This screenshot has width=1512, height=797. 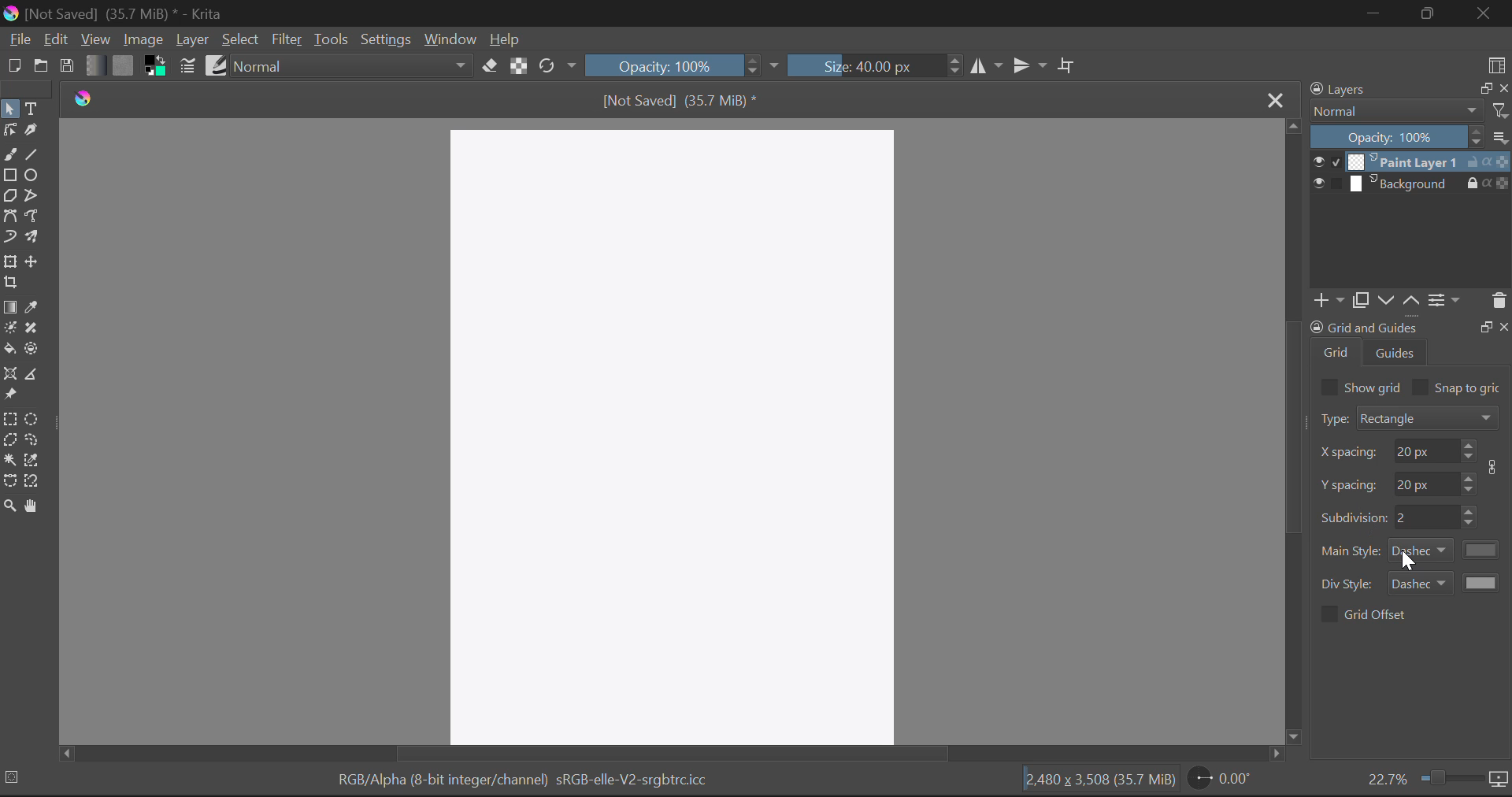 What do you see at coordinates (1483, 87) in the screenshot?
I see `copy` at bounding box center [1483, 87].